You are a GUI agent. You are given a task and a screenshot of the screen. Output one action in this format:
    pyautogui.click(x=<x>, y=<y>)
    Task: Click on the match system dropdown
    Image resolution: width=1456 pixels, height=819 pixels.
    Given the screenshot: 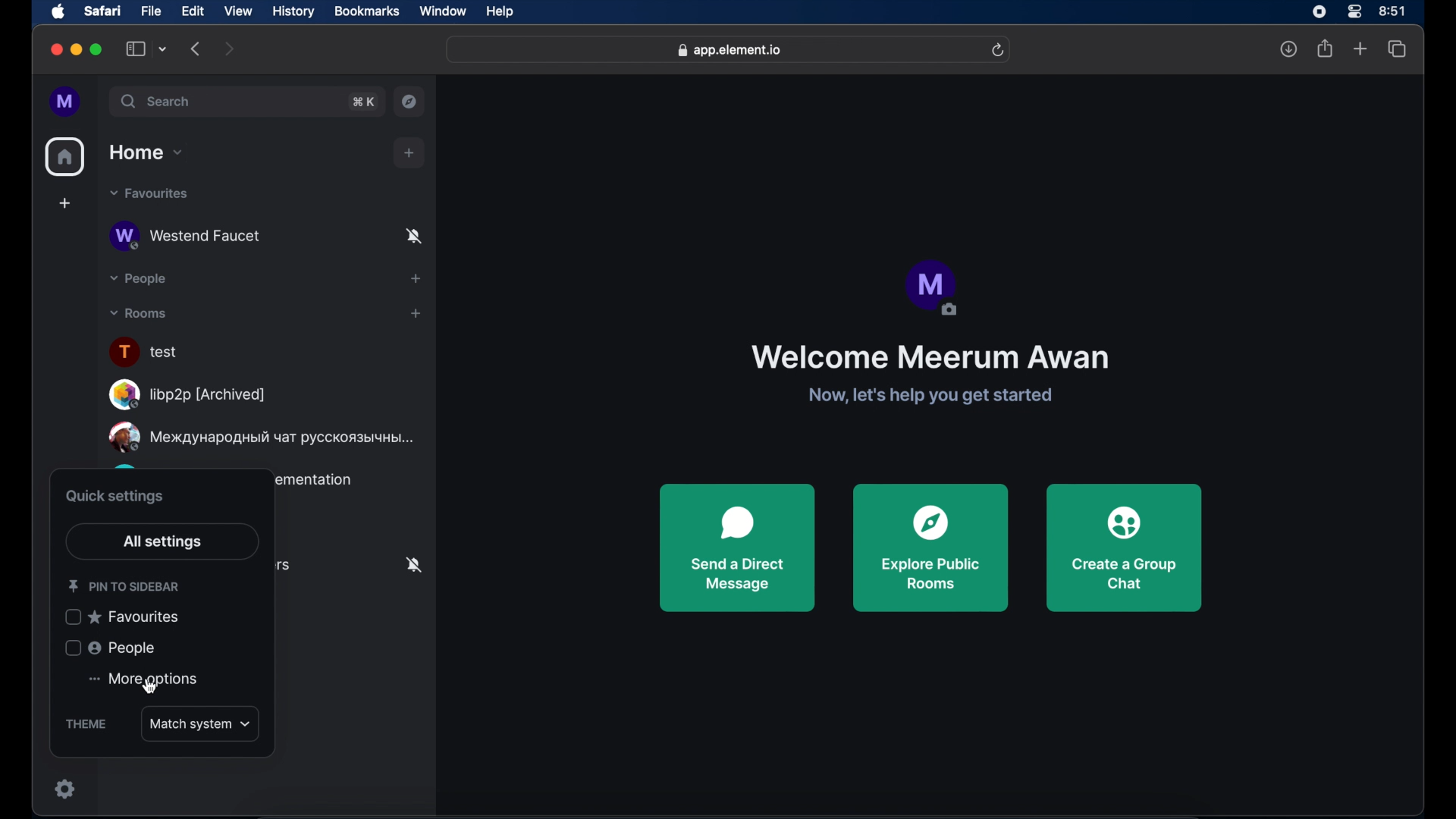 What is the action you would take?
    pyautogui.click(x=200, y=723)
    